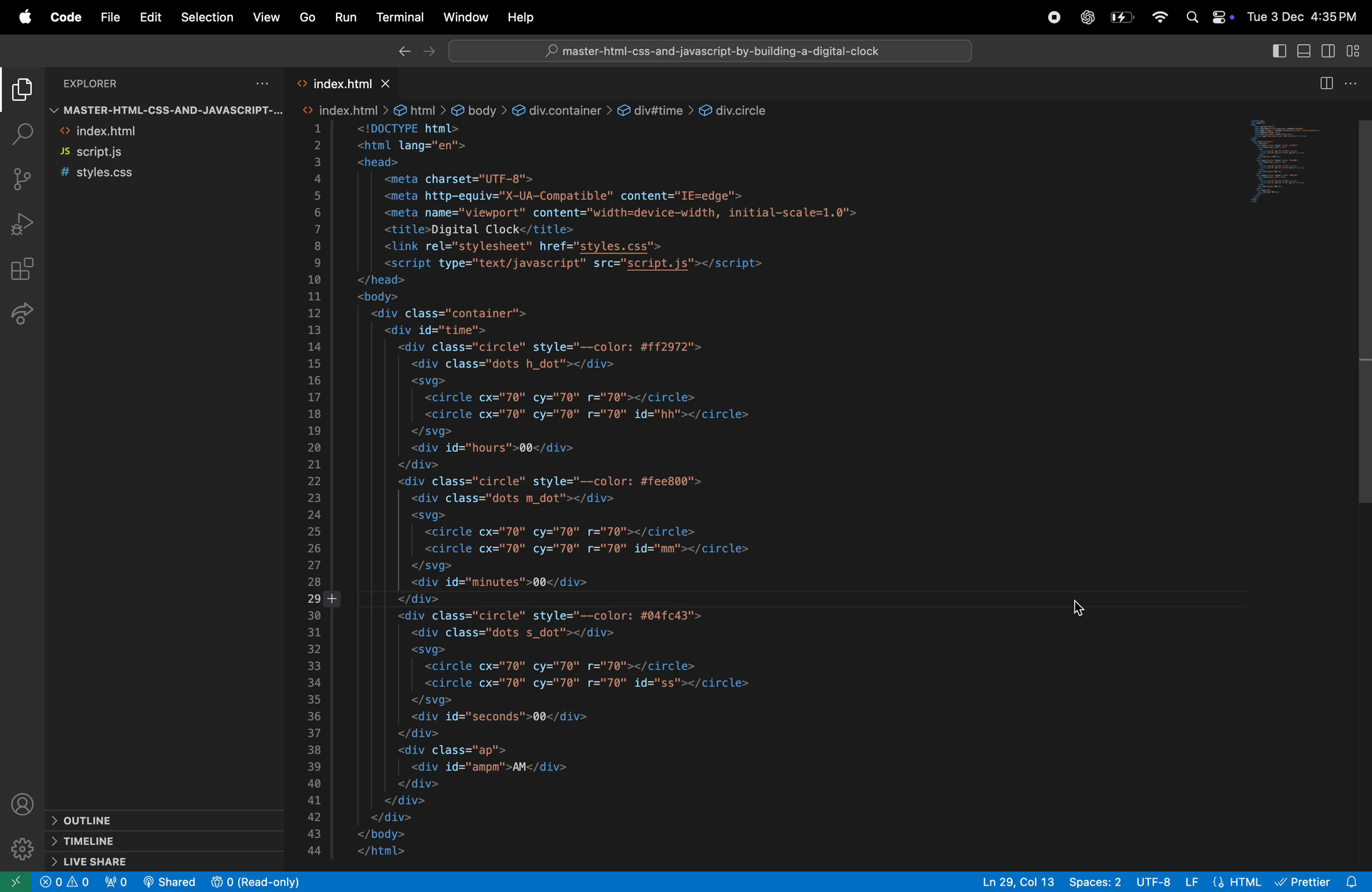 The height and width of the screenshot is (892, 1372). I want to click on explorer, so click(21, 92).